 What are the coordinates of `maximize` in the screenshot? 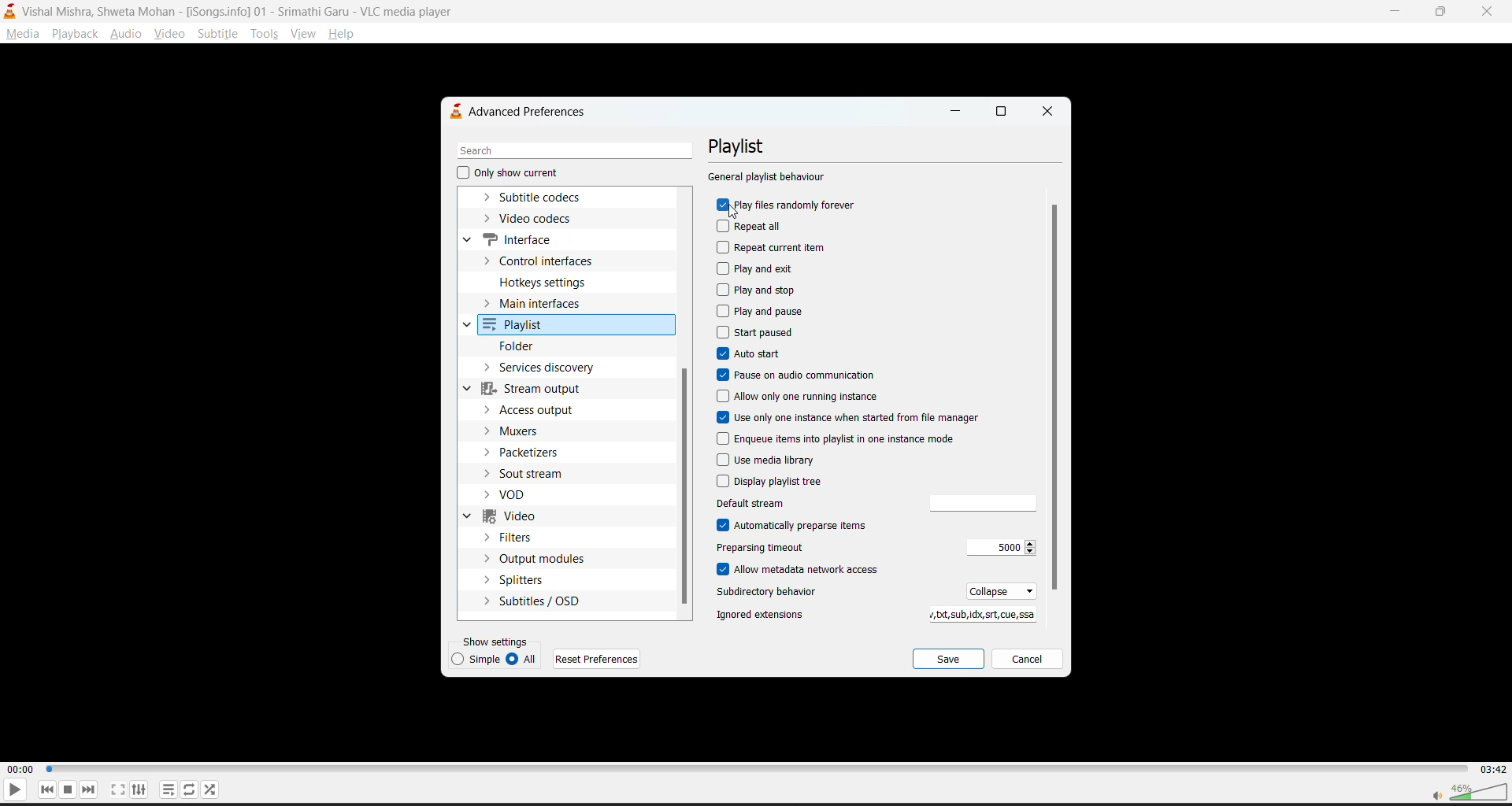 It's located at (999, 111).